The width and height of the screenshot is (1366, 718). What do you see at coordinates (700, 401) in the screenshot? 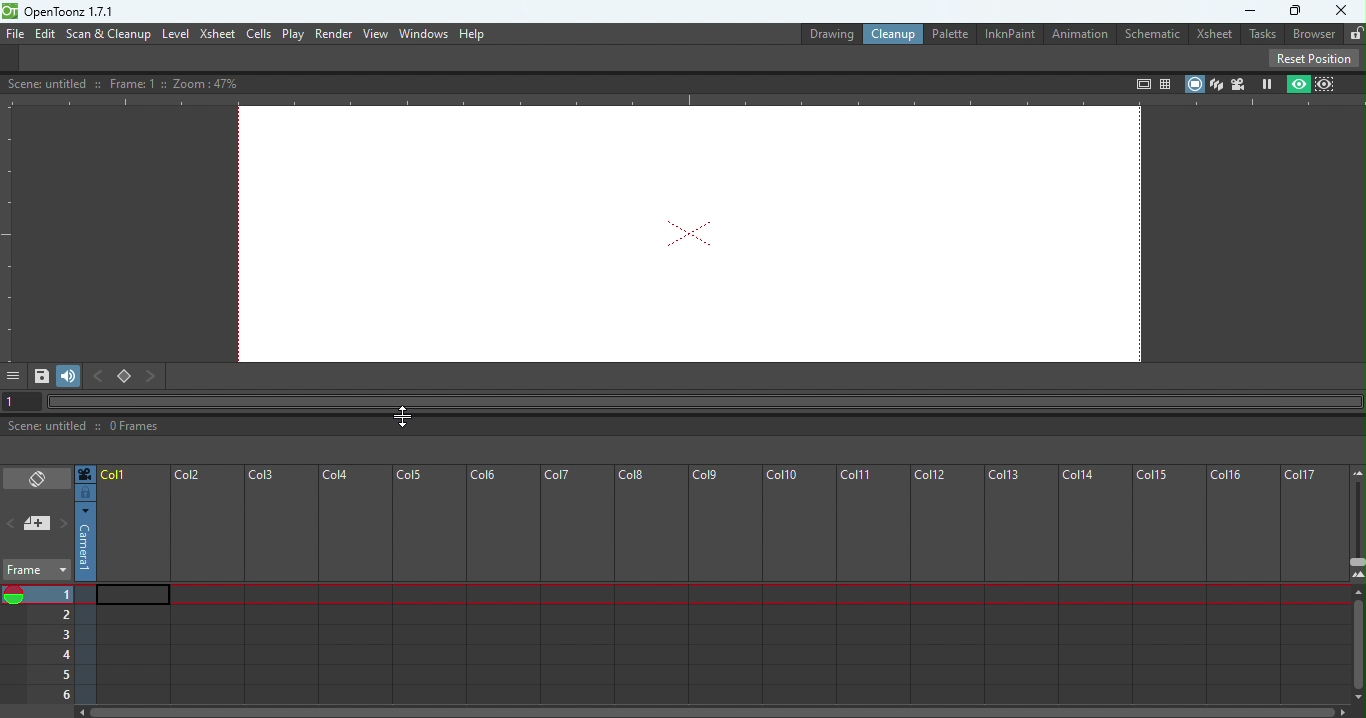
I see `Horizontal scroll bar"` at bounding box center [700, 401].